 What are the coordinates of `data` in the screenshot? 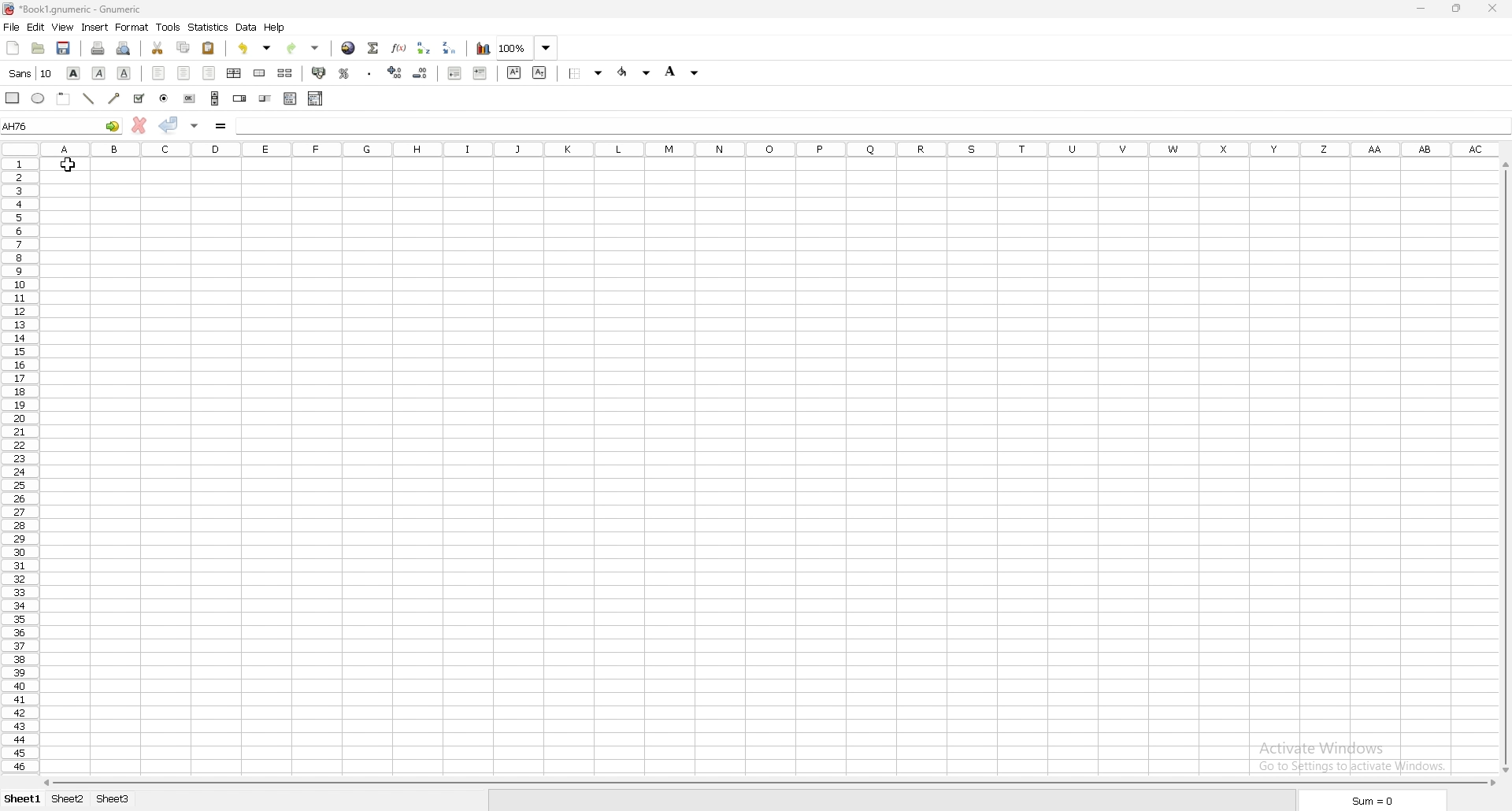 It's located at (247, 27).